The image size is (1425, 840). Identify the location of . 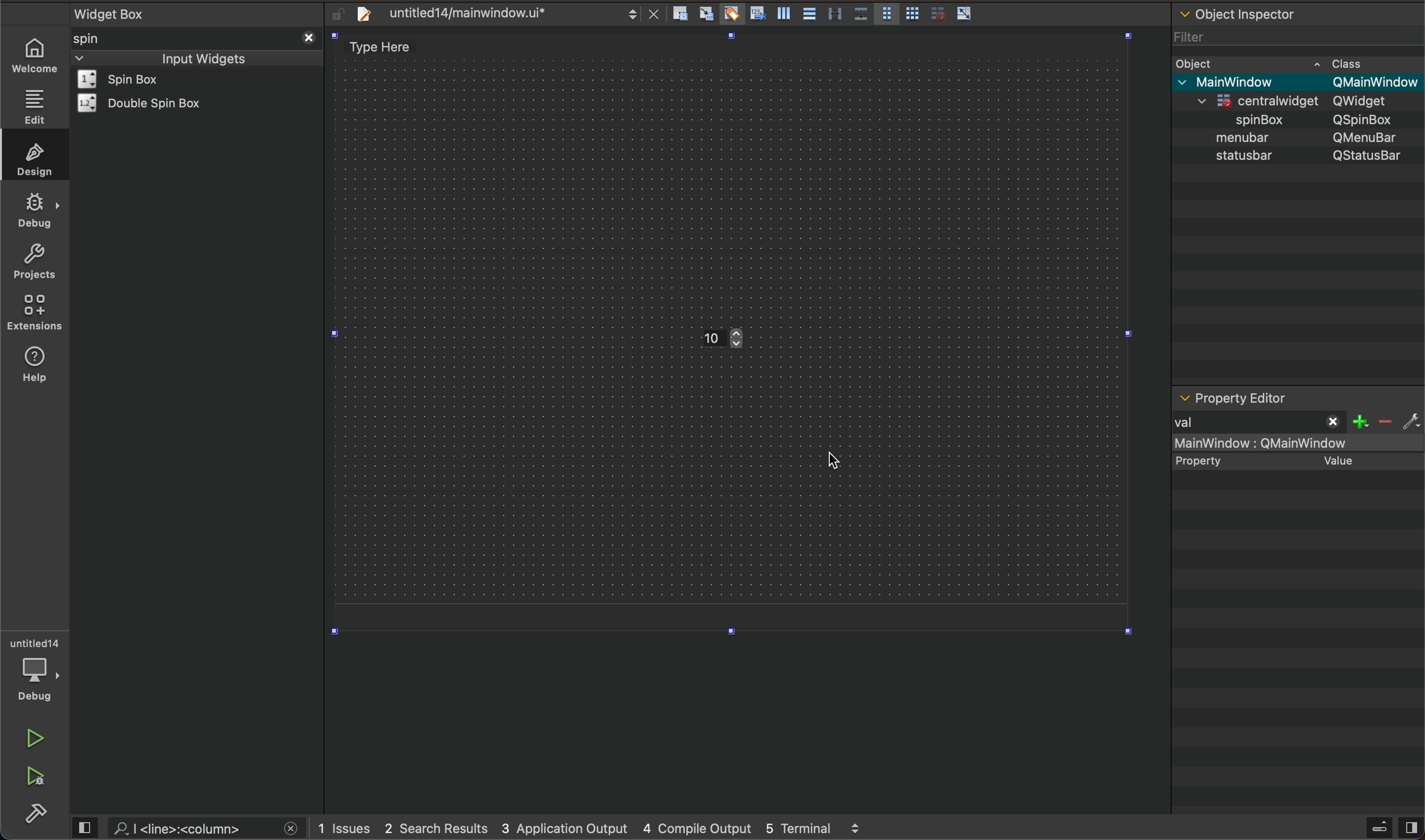
(1368, 119).